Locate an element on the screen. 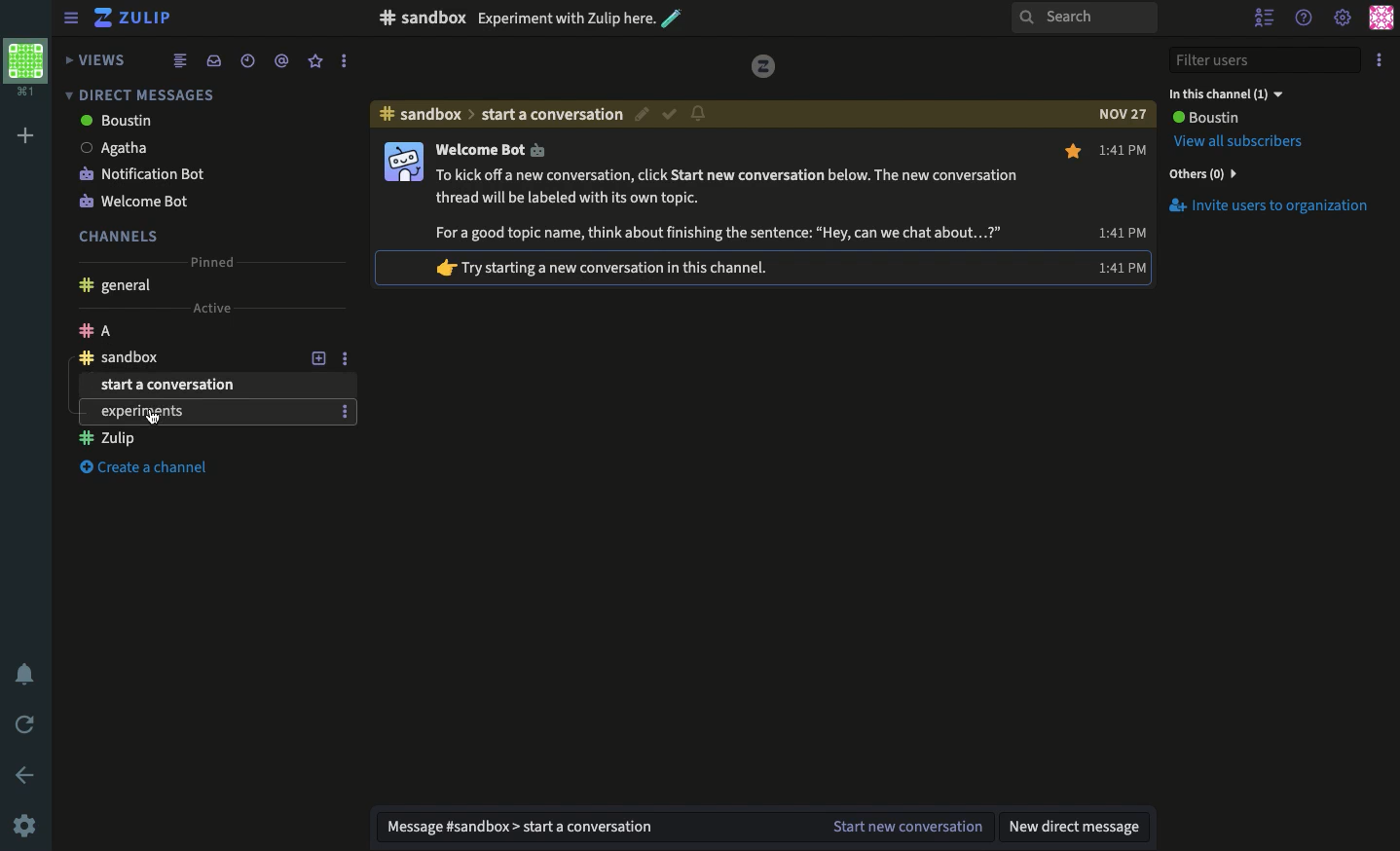 The image size is (1400, 851). Agatha is located at coordinates (185, 147).